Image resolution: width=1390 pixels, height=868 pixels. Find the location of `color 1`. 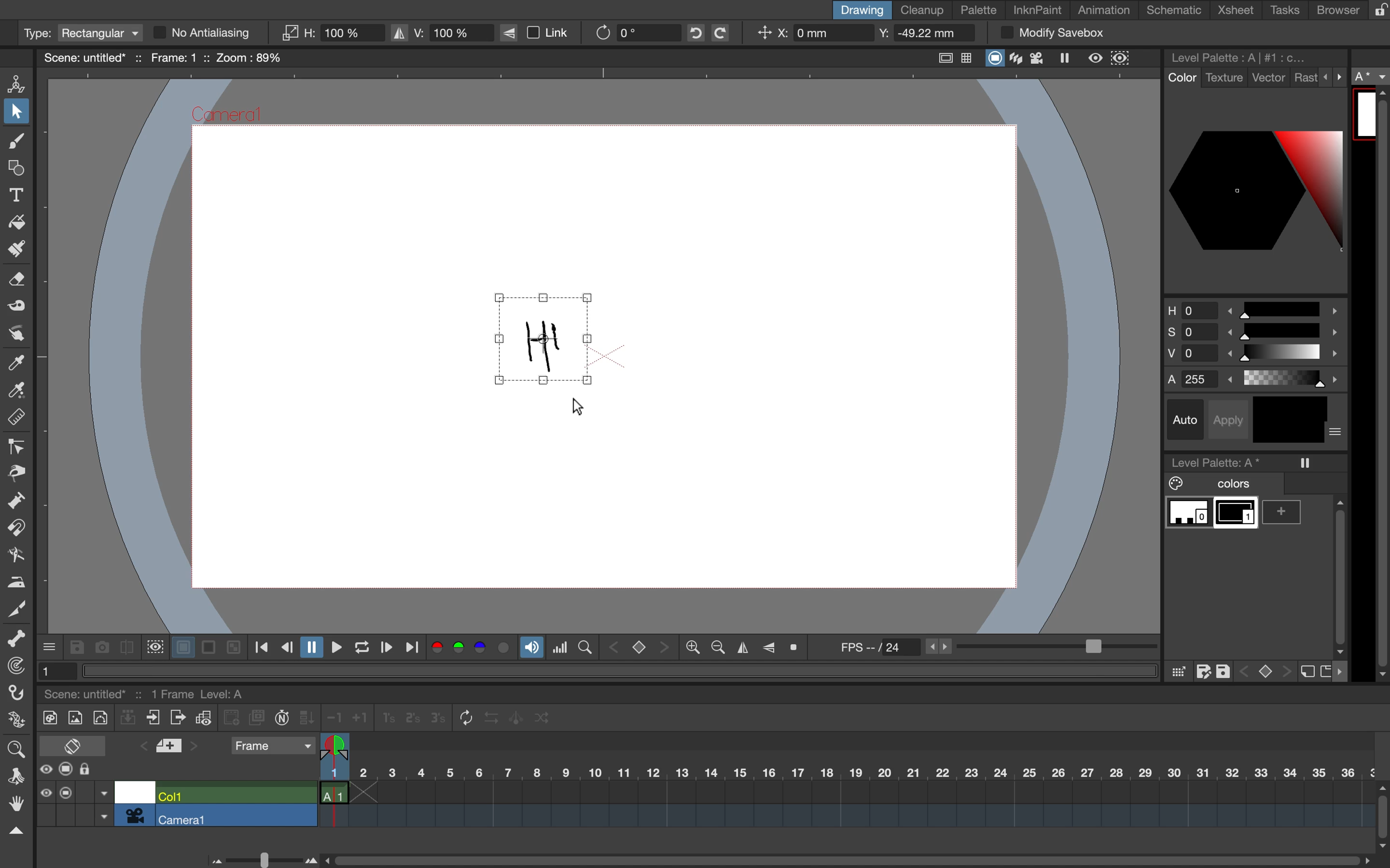

color 1 is located at coordinates (1237, 515).